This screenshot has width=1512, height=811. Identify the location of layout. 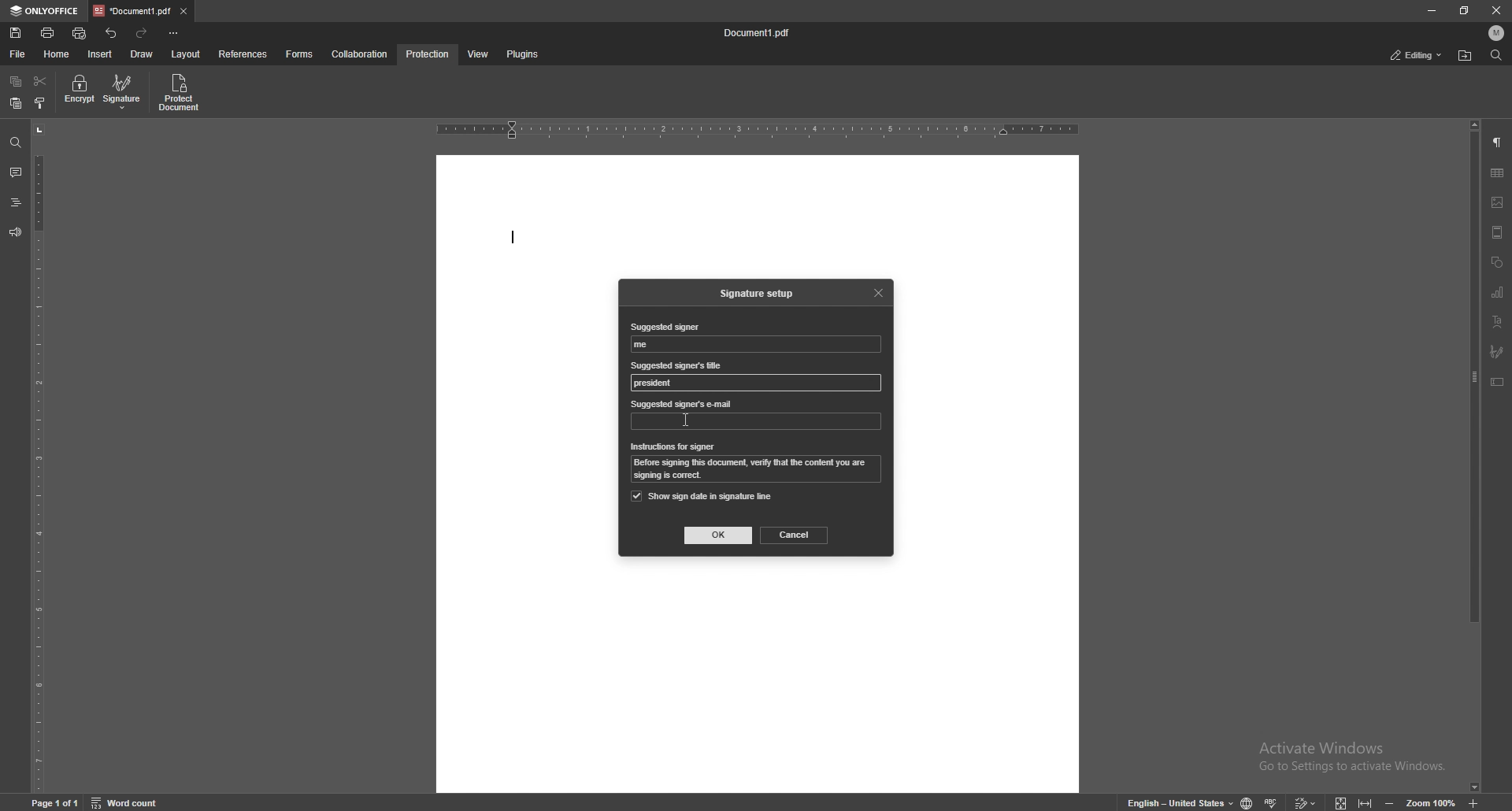
(185, 55).